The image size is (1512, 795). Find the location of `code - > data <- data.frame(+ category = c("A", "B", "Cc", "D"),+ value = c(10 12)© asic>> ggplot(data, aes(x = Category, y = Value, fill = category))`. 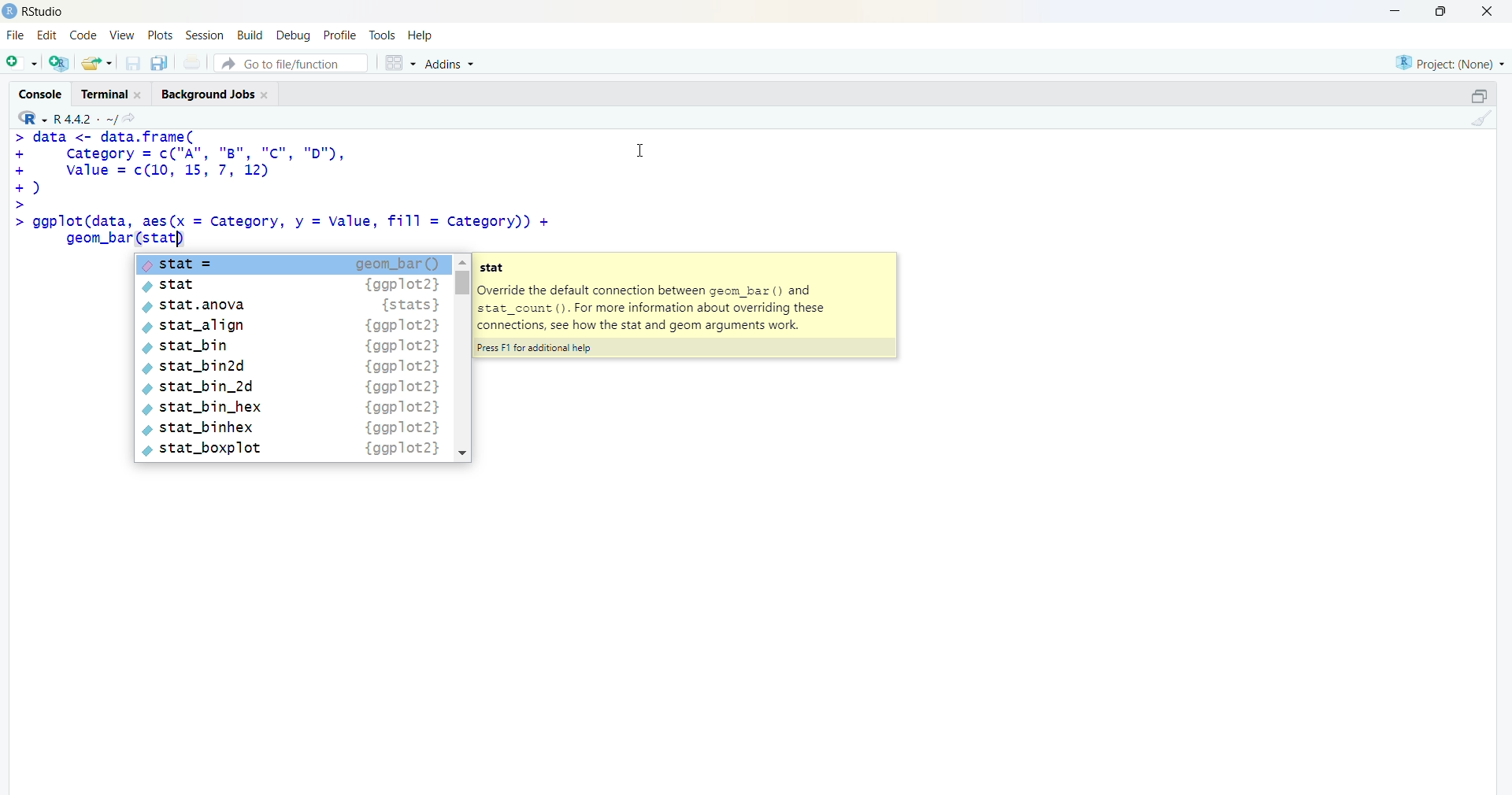

code - > data <- data.frame(+ category = c("A", "B", "Cc", "D"),+ value = c(10 12)© asic>> ggplot(data, aes(x = Category, y = Value, fill = category)) is located at coordinates (295, 190).